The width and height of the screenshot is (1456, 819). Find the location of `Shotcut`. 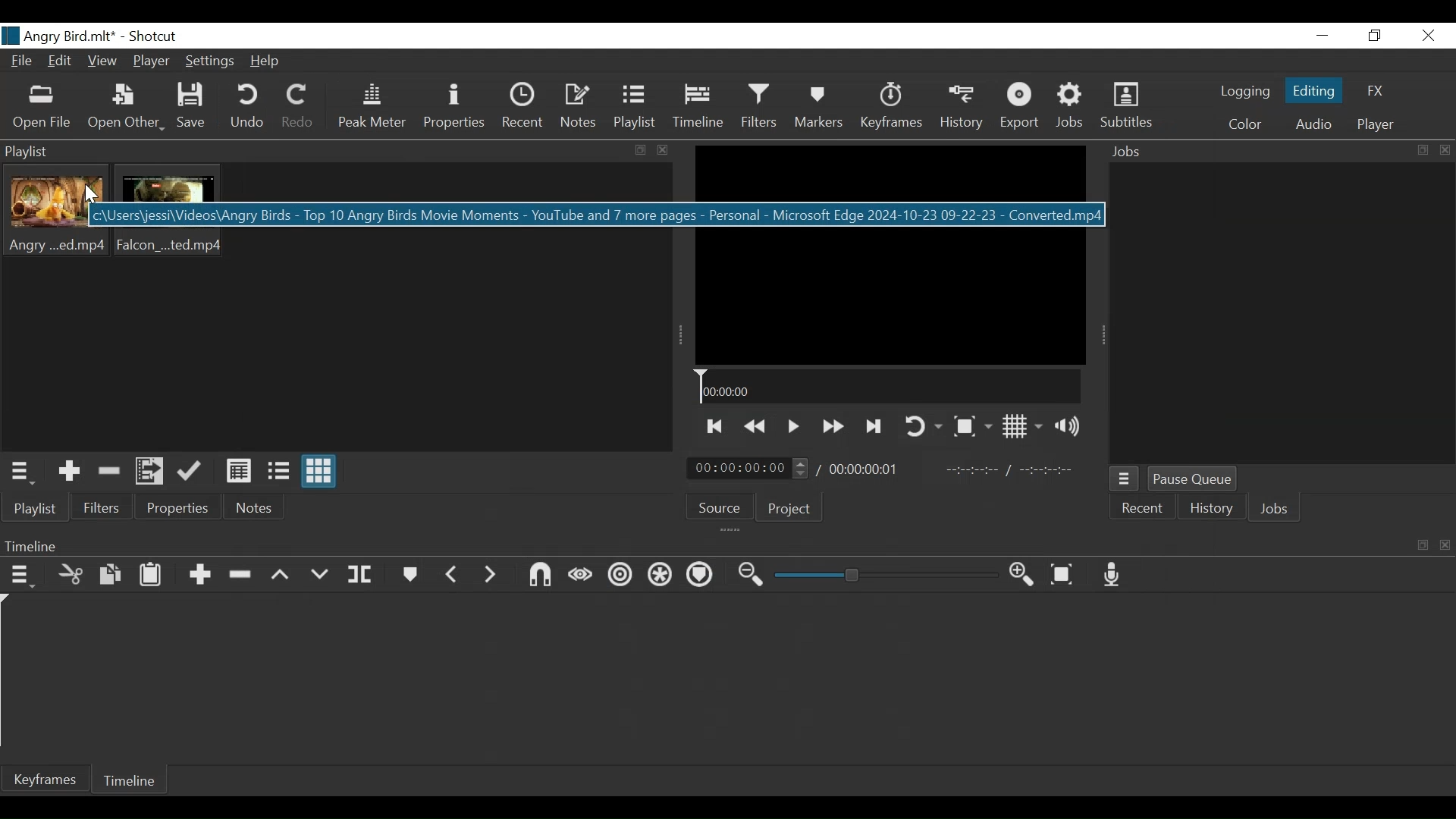

Shotcut is located at coordinates (152, 37).